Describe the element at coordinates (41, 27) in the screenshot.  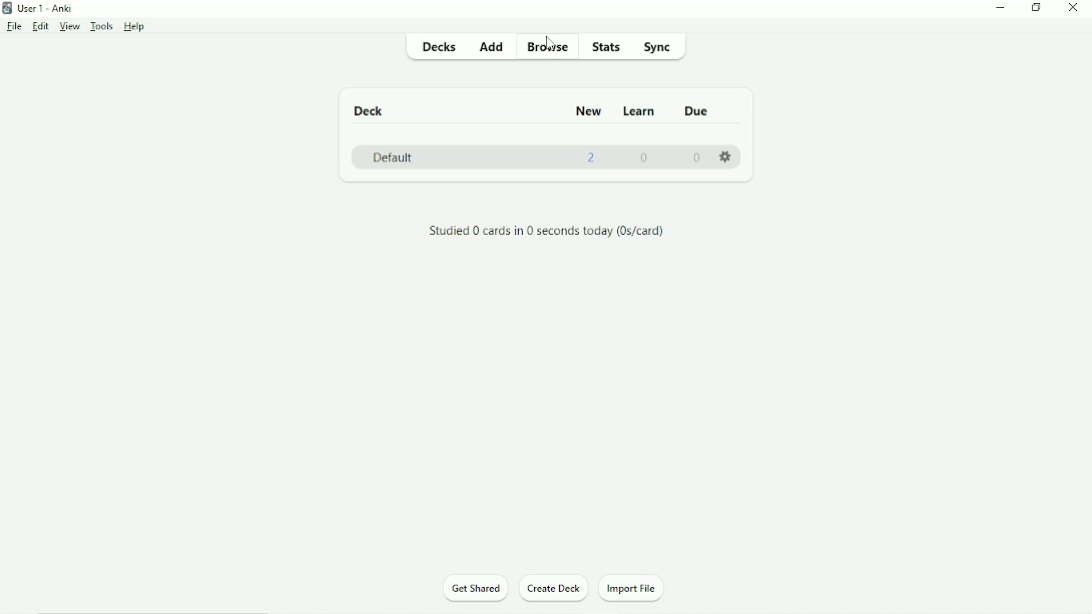
I see `Edit` at that location.